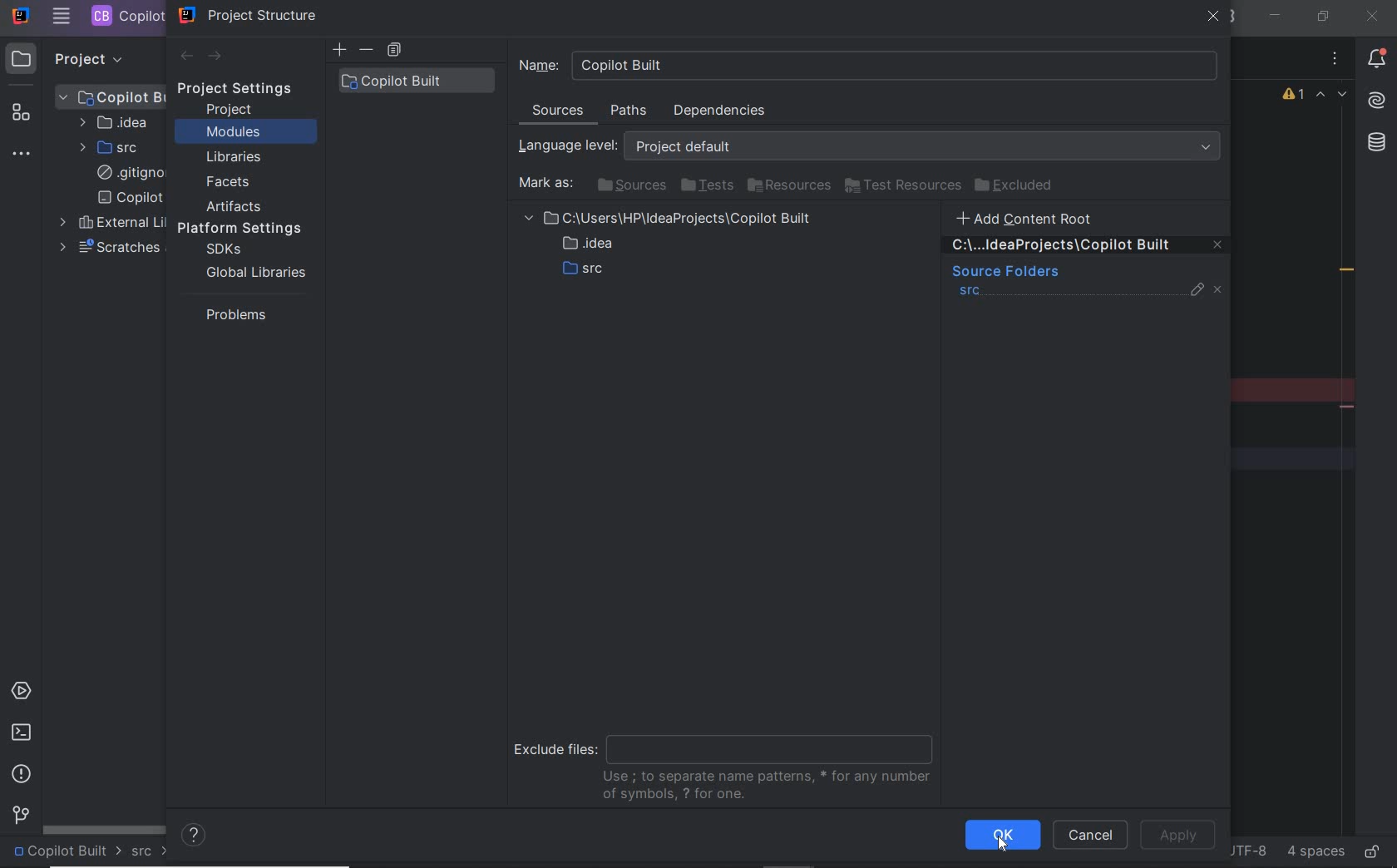  Describe the element at coordinates (109, 223) in the screenshot. I see `external libraries` at that location.